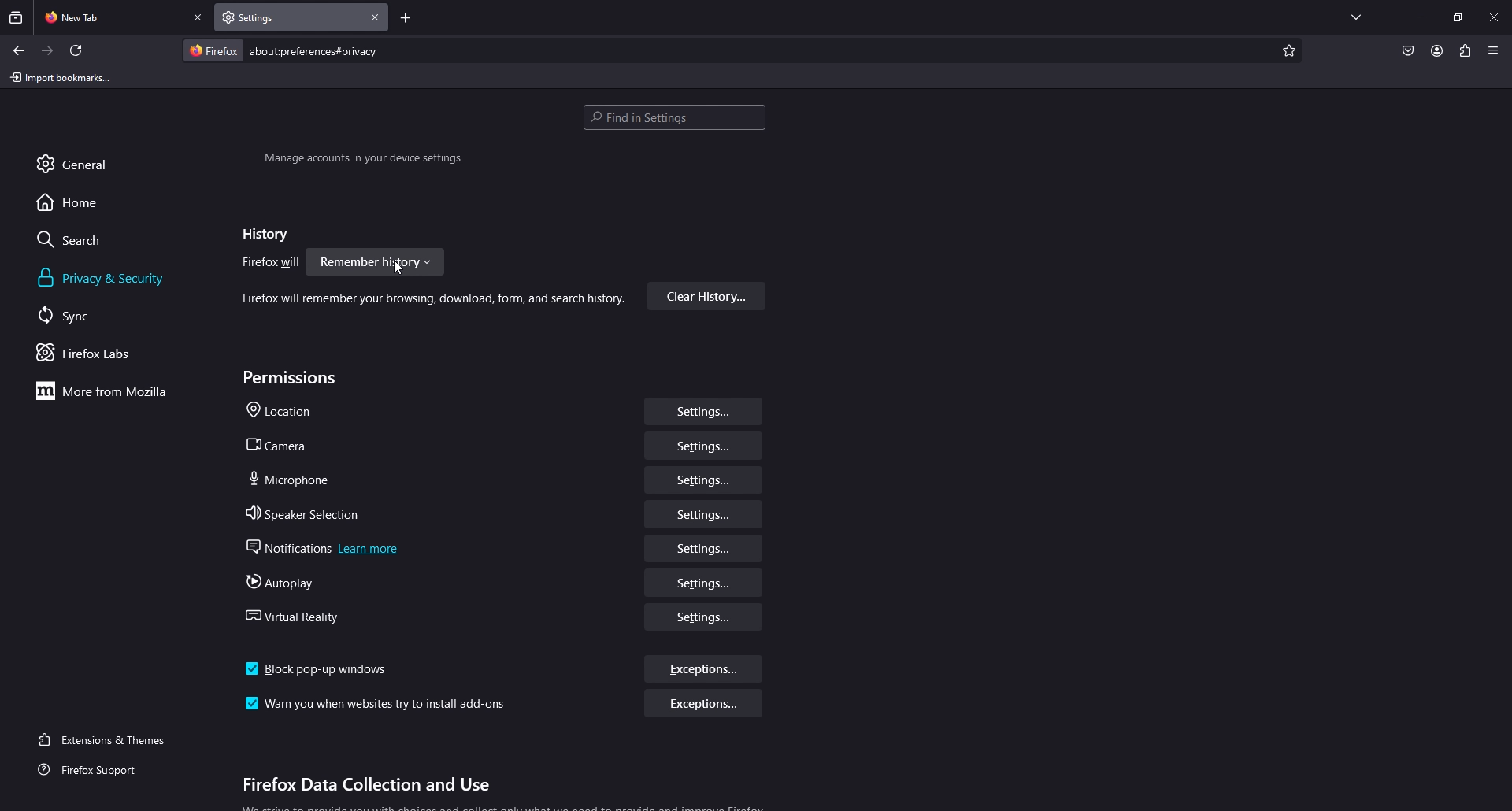 The width and height of the screenshot is (1512, 811). Describe the element at coordinates (701, 705) in the screenshot. I see `exceptions` at that location.